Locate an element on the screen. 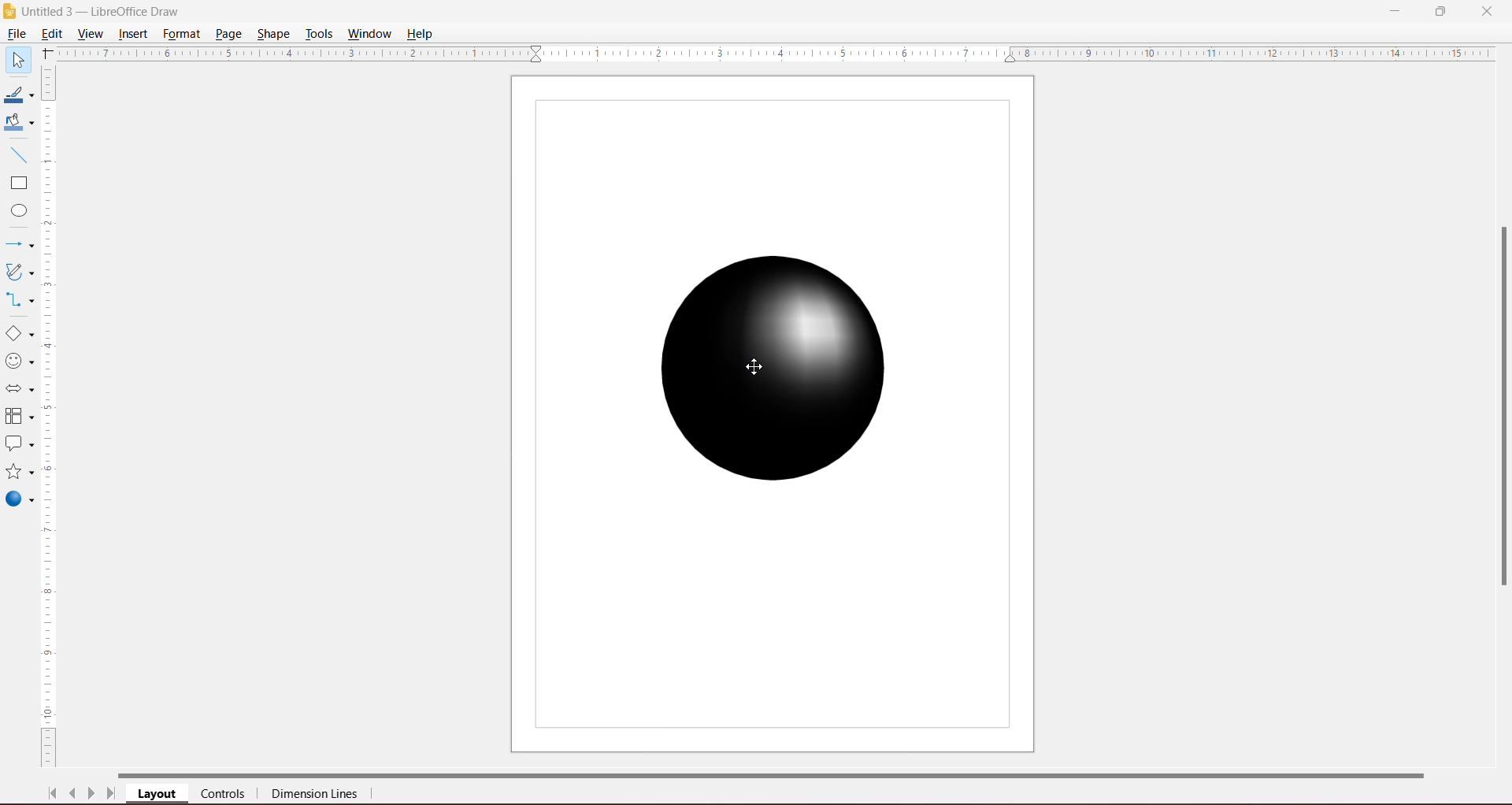 This screenshot has height=805, width=1512. Minimize is located at coordinates (1396, 9).